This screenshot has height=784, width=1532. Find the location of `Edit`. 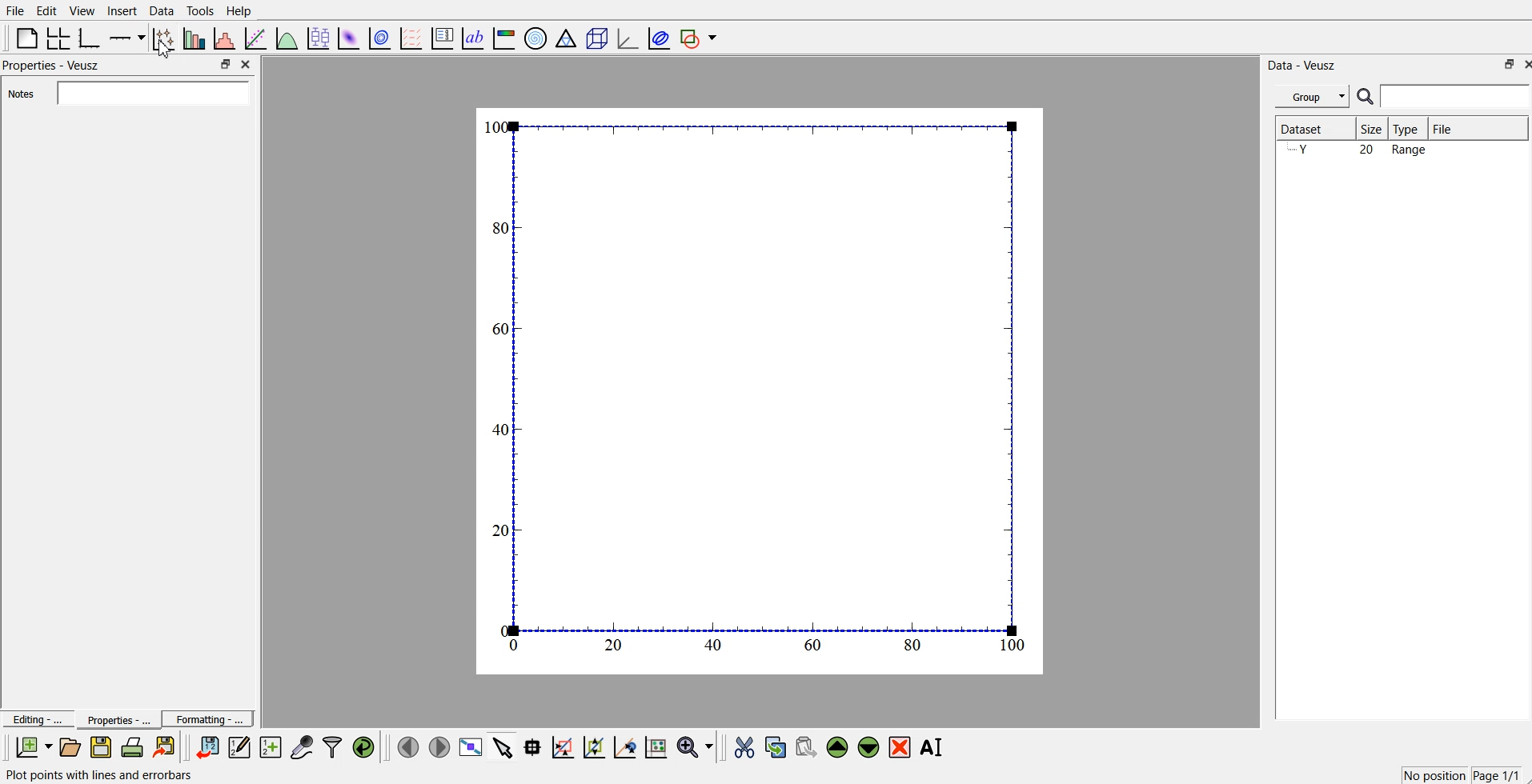

Edit is located at coordinates (47, 10).